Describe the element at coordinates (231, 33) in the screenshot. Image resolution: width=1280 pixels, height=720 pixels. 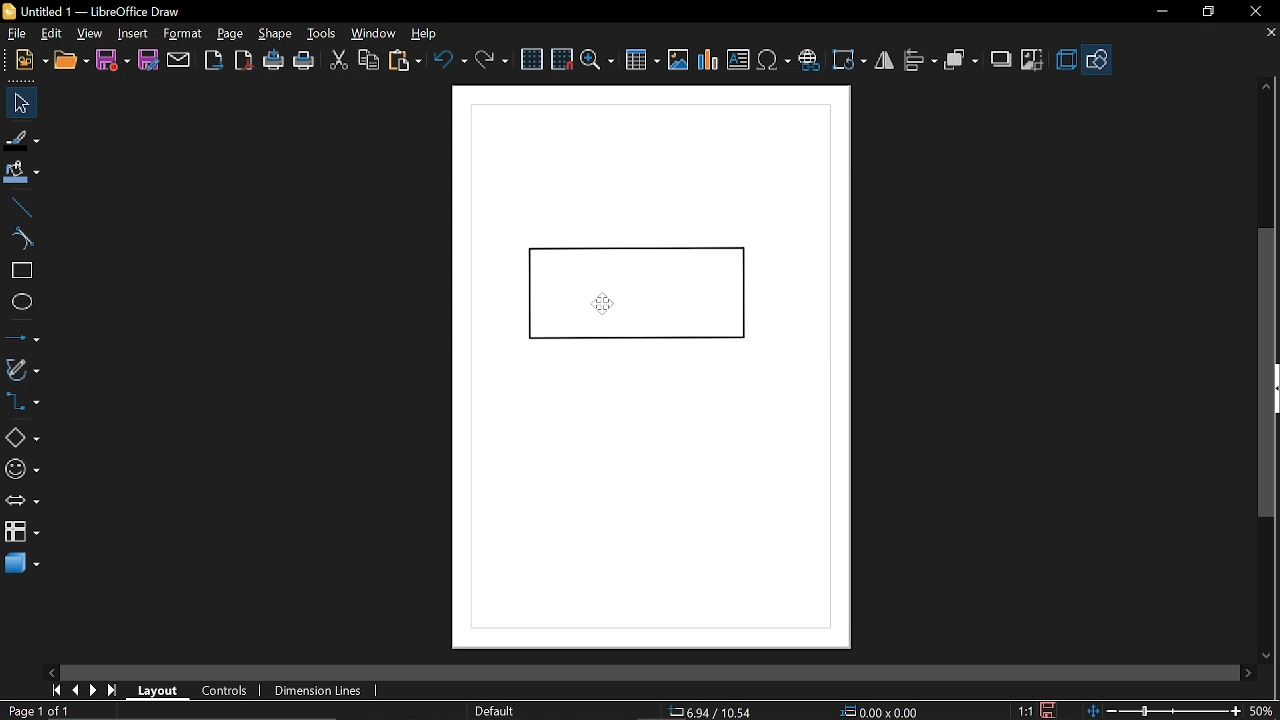
I see `page` at that location.